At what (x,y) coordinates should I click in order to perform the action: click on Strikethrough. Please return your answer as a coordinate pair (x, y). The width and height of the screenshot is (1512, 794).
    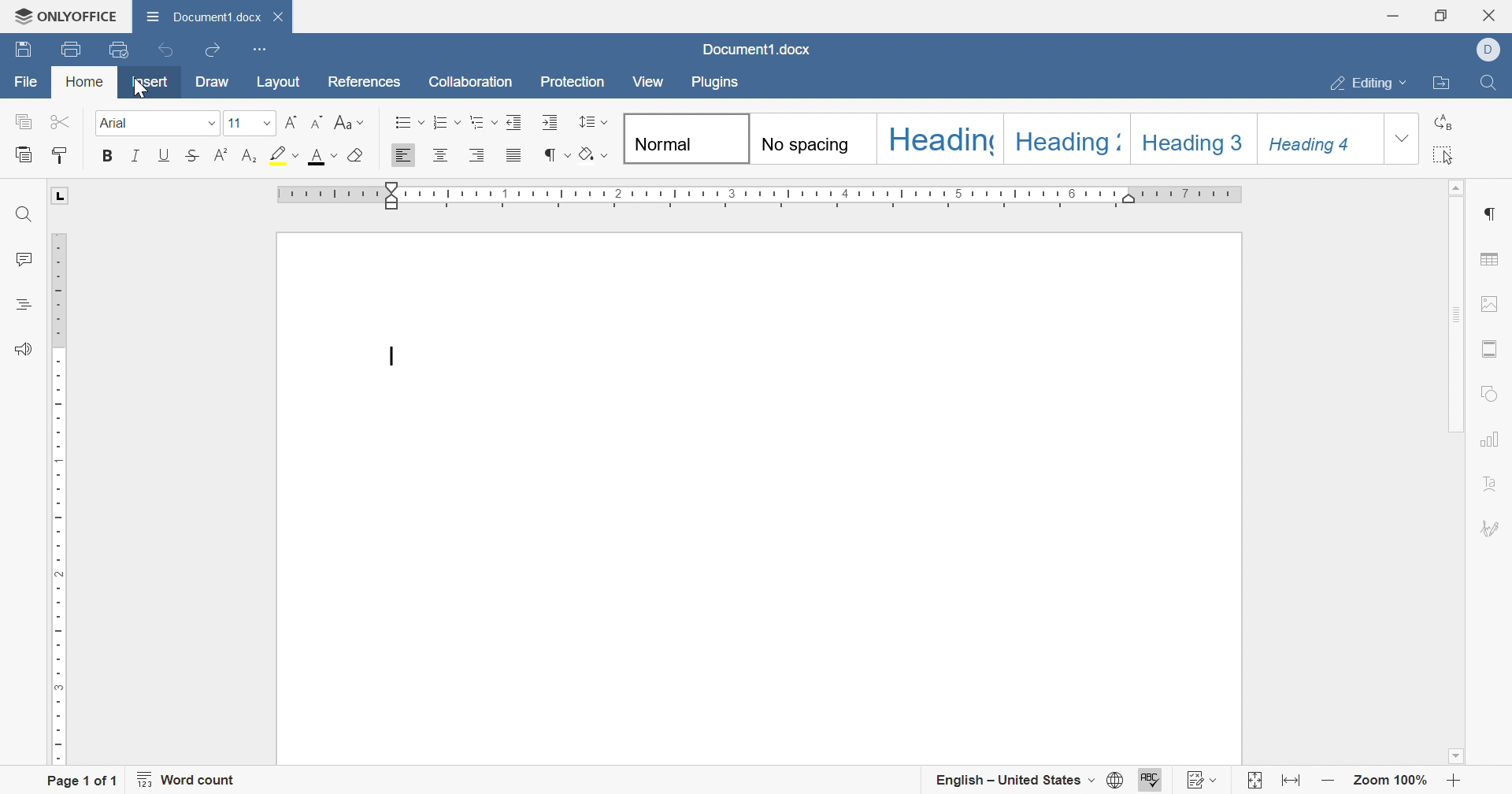
    Looking at the image, I should click on (192, 158).